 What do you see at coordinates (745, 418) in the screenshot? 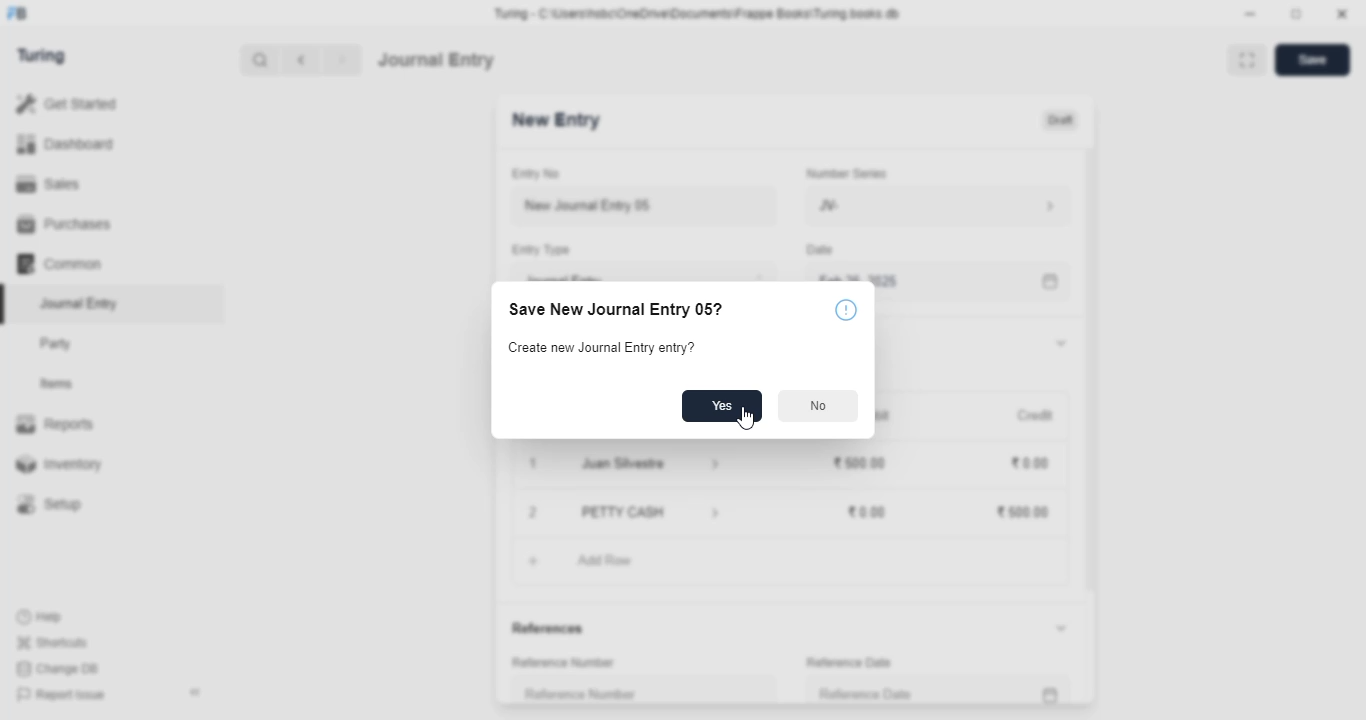
I see `cursor` at bounding box center [745, 418].